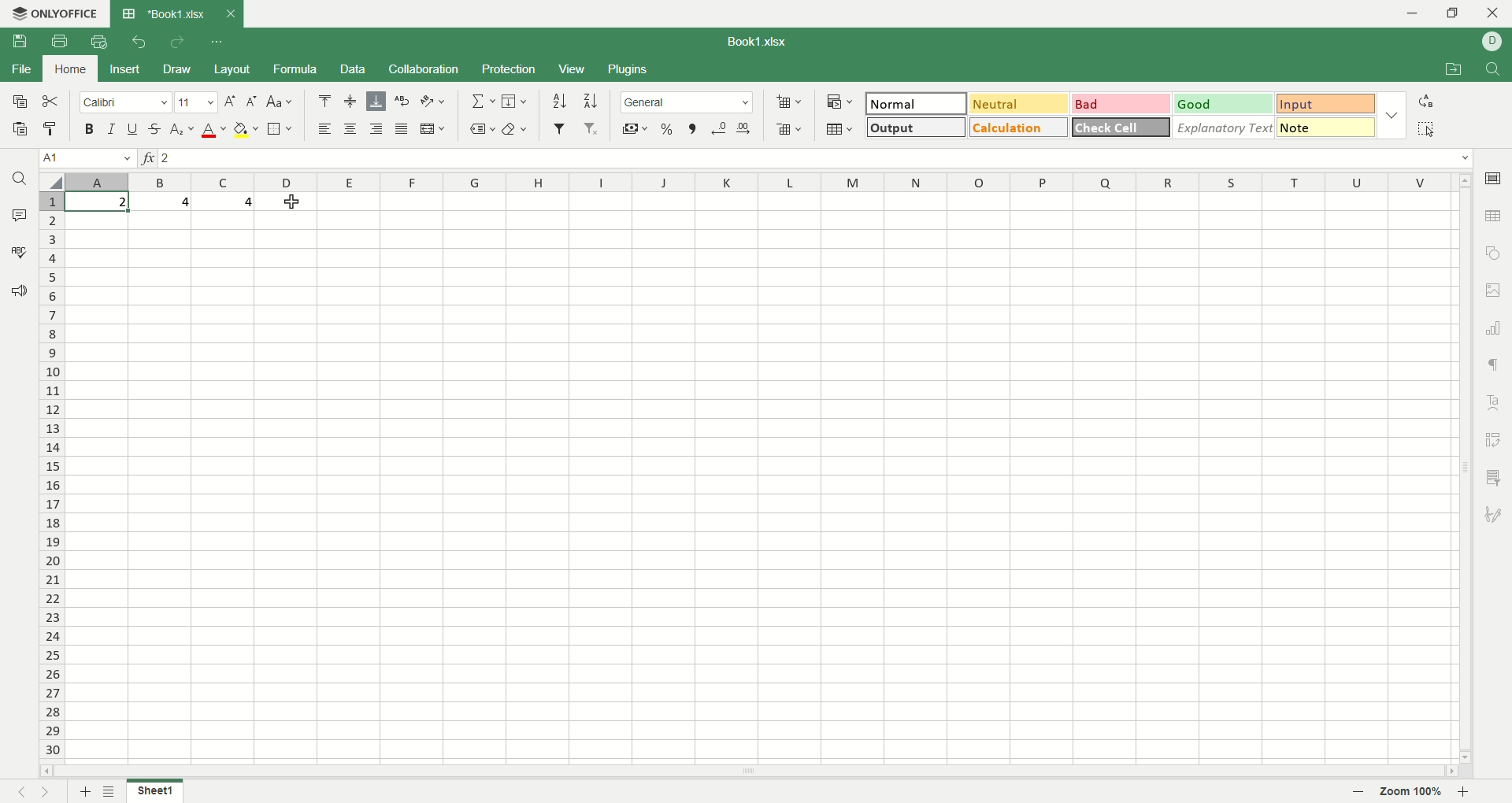 This screenshot has width=1512, height=803. Describe the element at coordinates (21, 42) in the screenshot. I see `save` at that location.